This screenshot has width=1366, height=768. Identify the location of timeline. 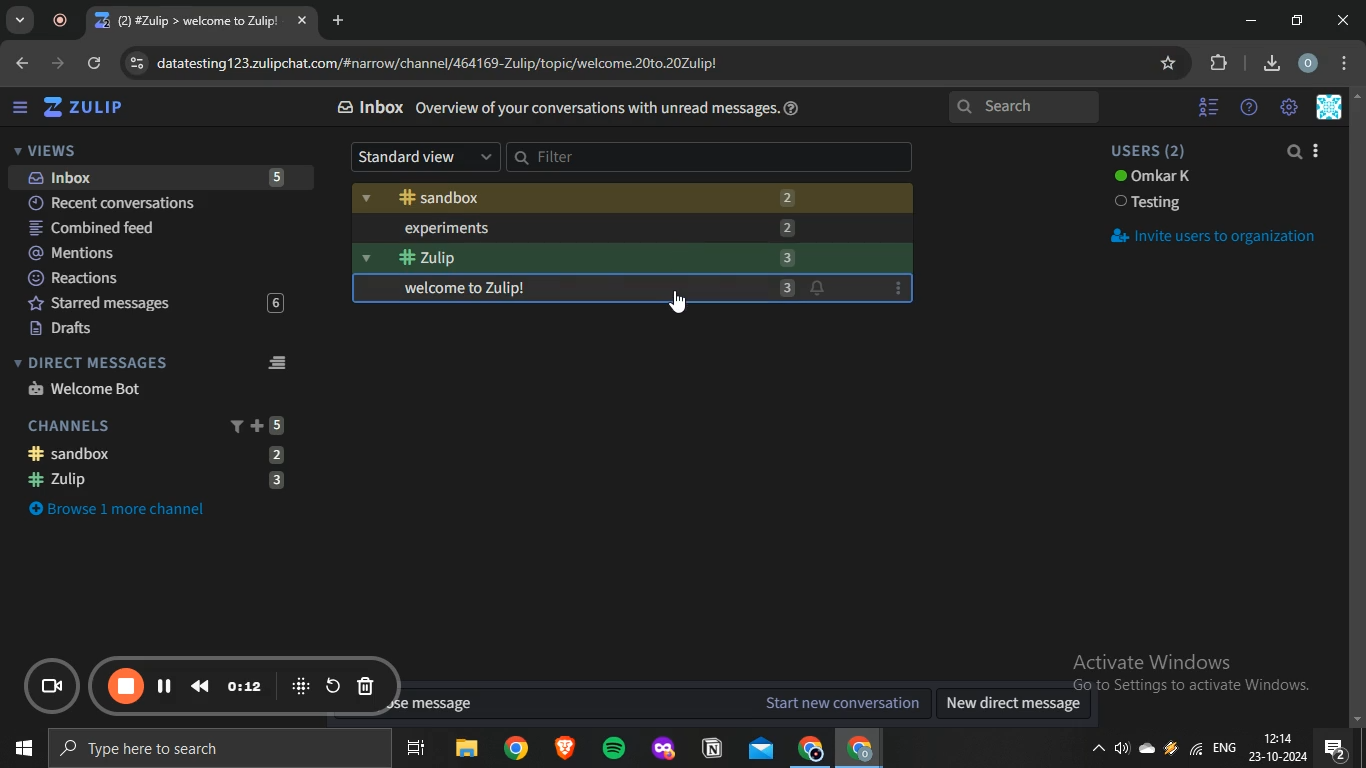
(246, 686).